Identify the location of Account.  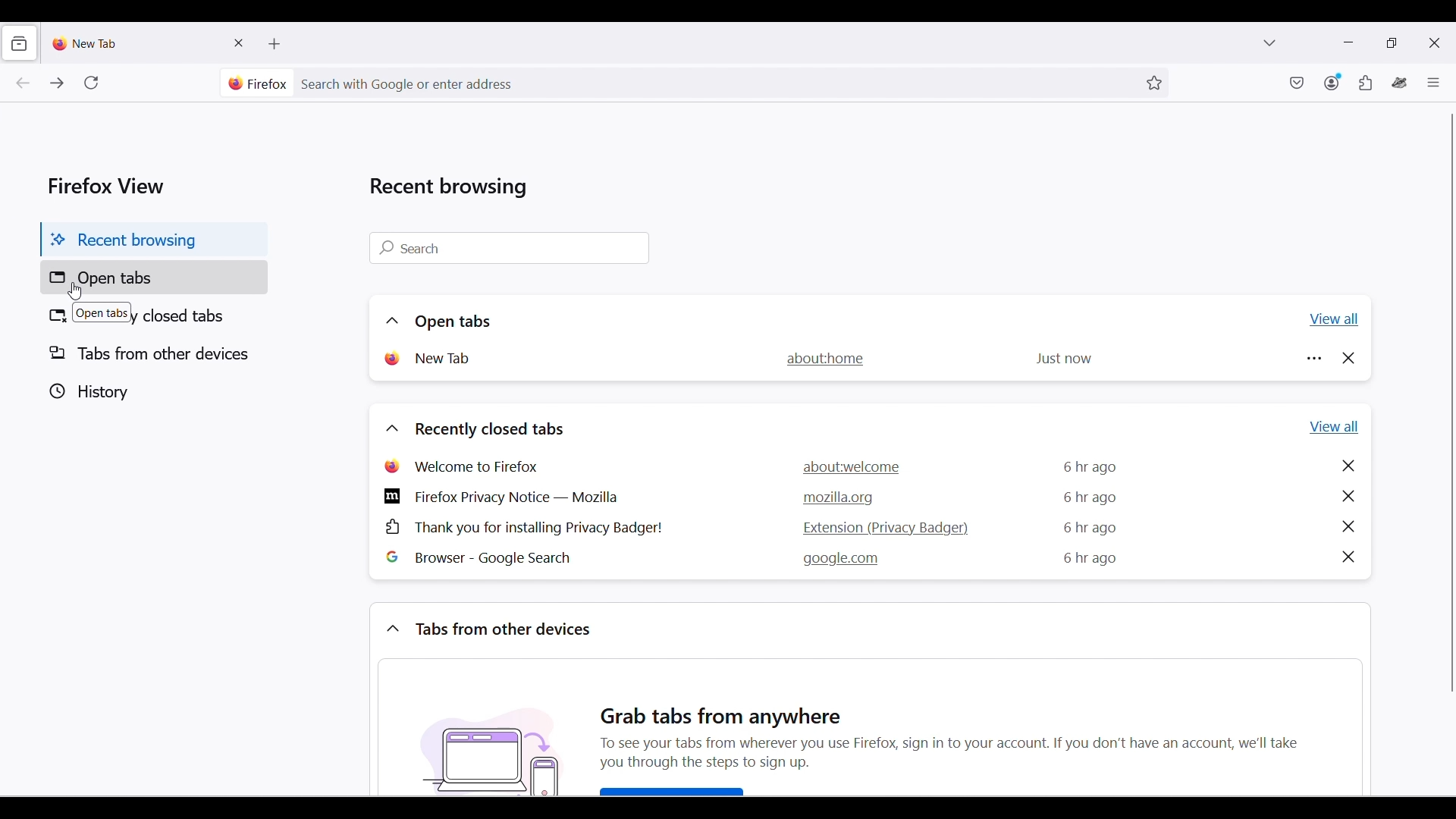
(1333, 82).